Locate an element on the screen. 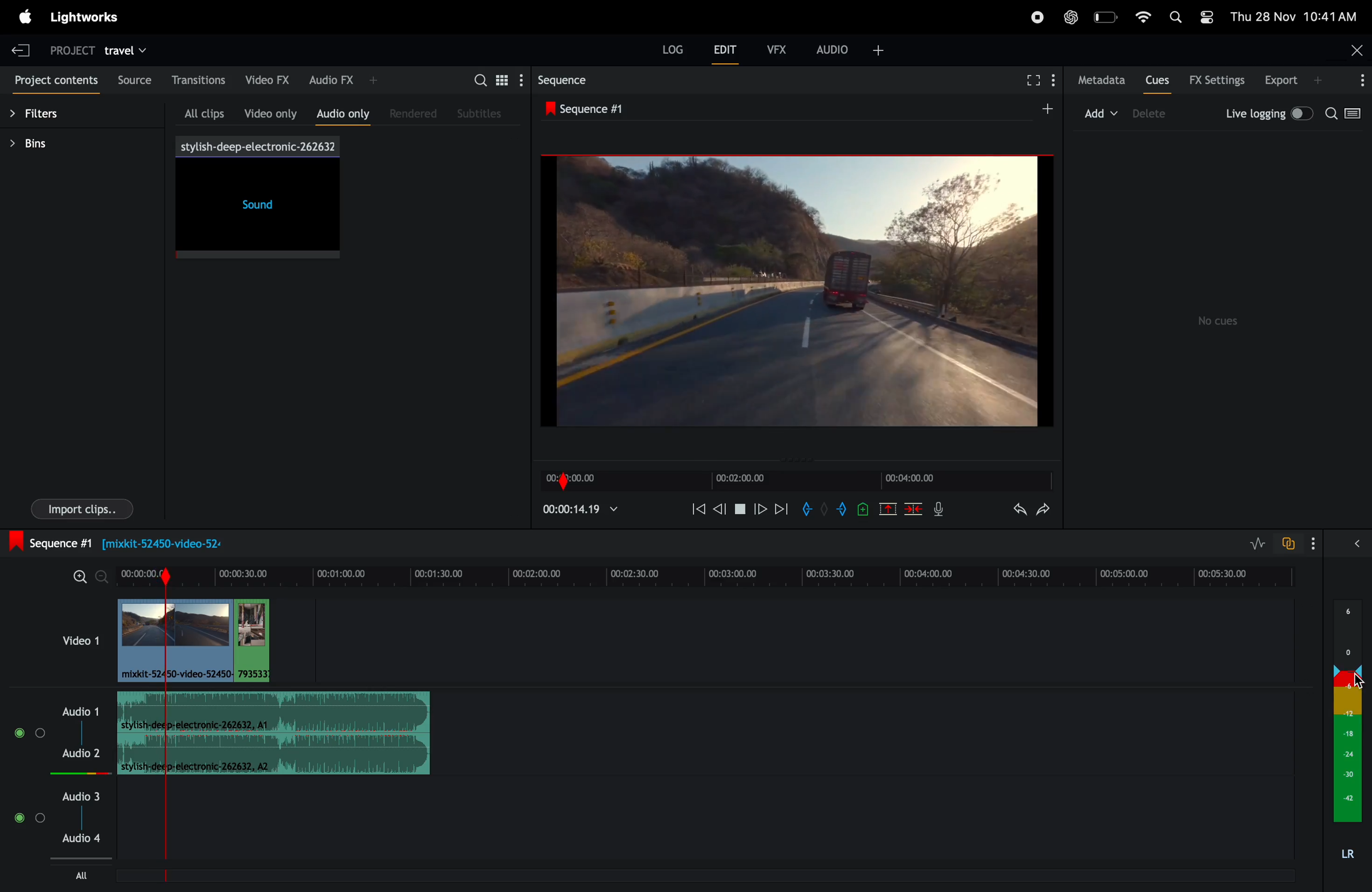 The image size is (1372, 892). zoom in zoom out is located at coordinates (89, 577).